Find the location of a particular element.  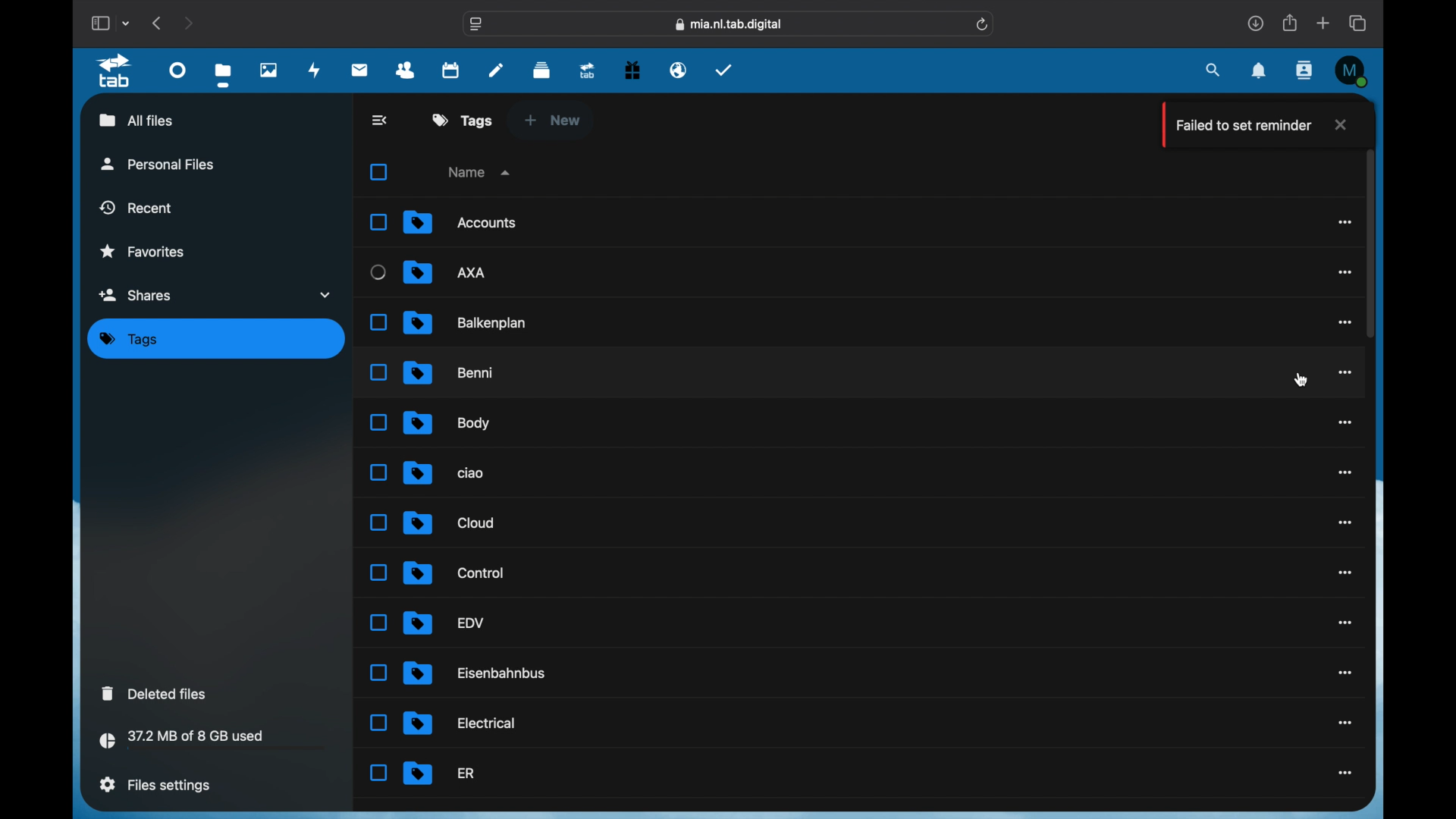

new tab is located at coordinates (1324, 24).